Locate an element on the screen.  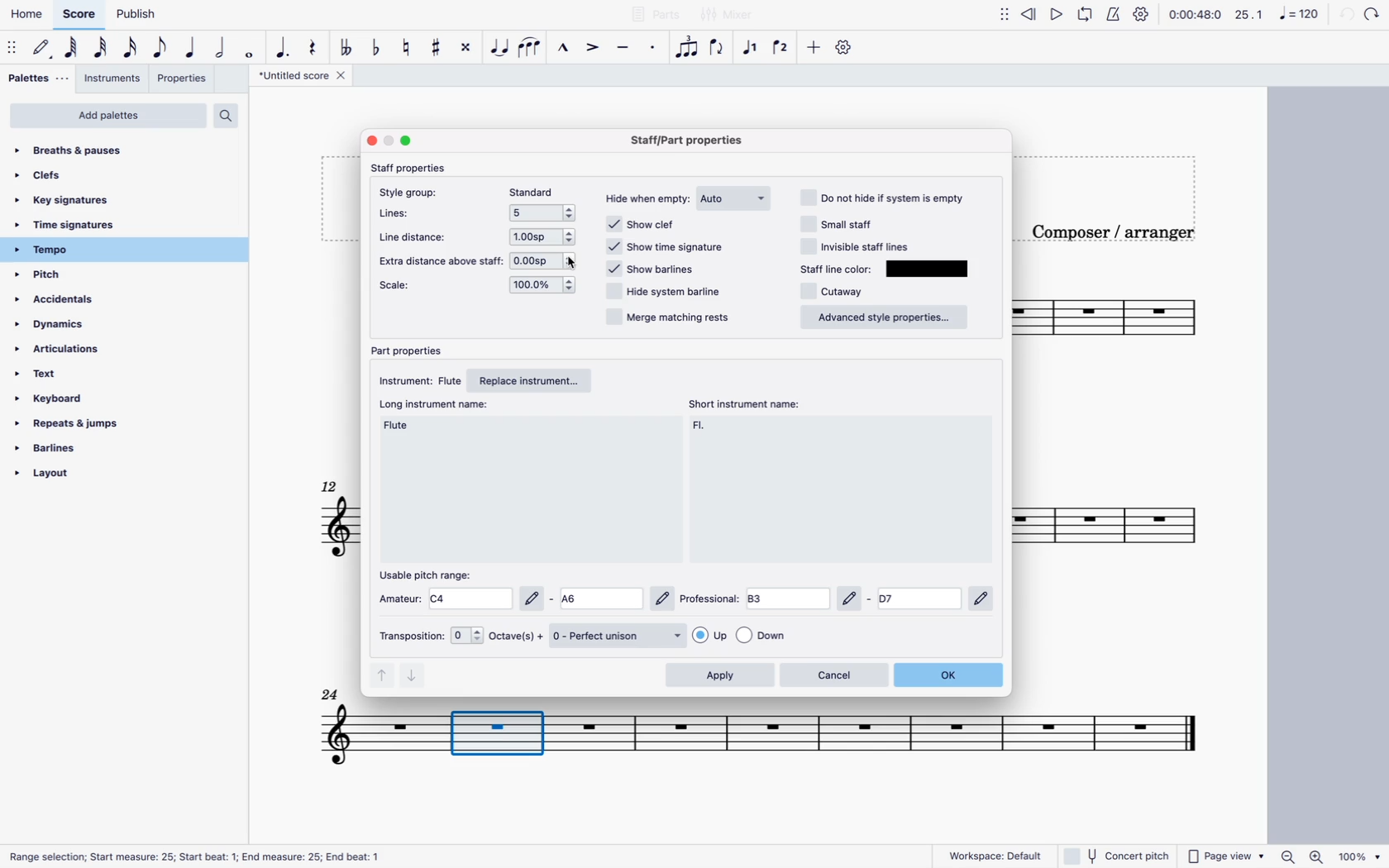
close is located at coordinates (372, 141).